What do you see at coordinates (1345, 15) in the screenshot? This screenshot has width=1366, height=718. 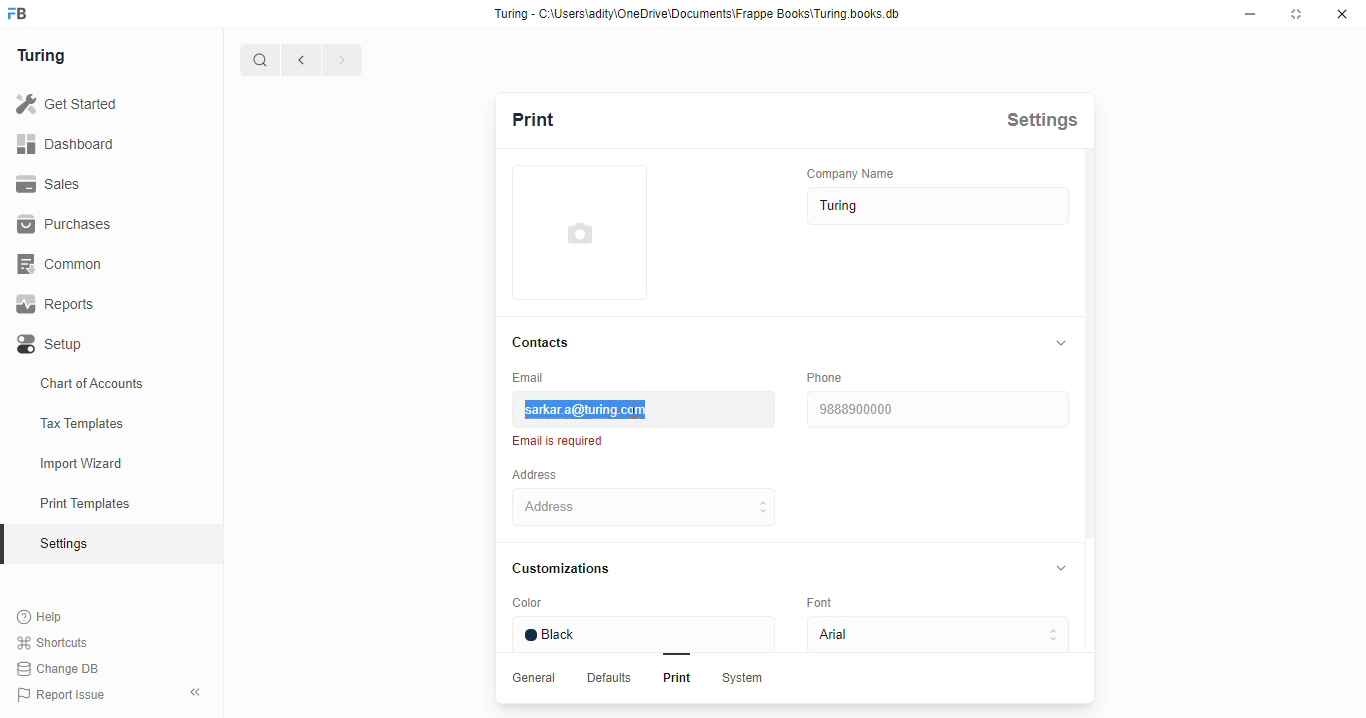 I see `close` at bounding box center [1345, 15].